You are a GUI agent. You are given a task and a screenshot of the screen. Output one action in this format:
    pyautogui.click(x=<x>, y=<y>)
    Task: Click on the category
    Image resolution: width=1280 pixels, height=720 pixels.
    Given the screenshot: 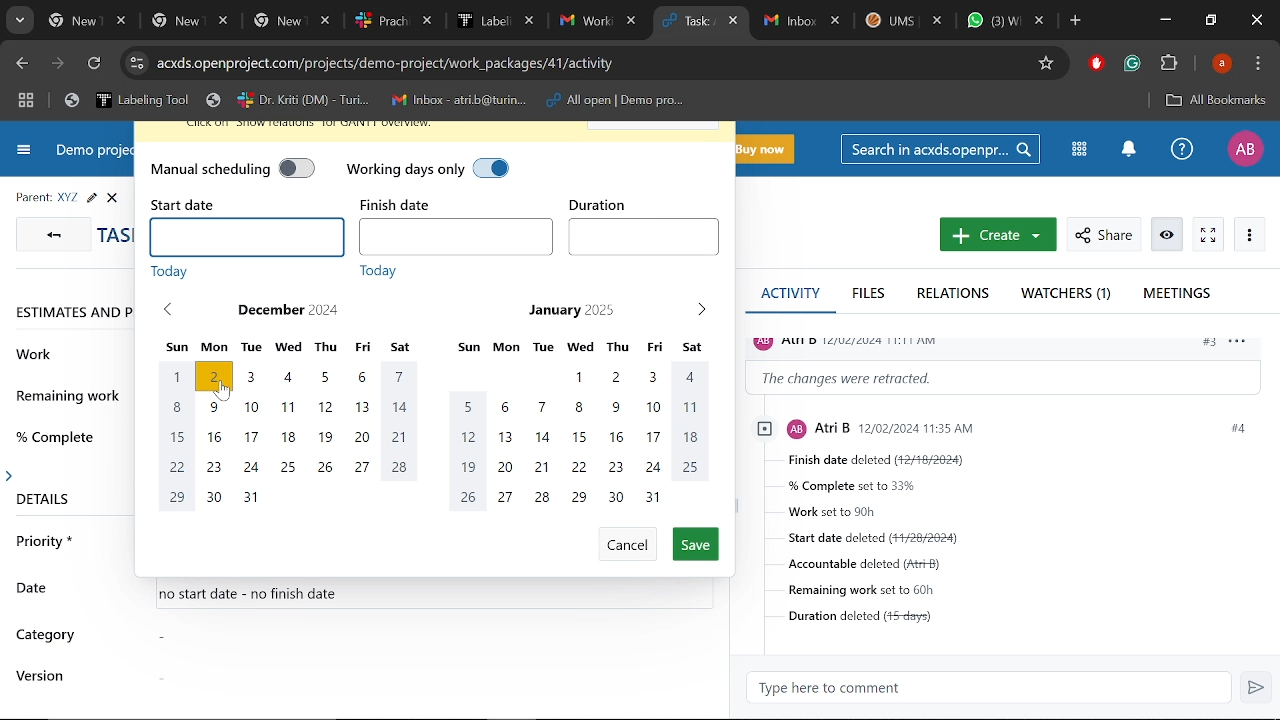 What is the action you would take?
    pyautogui.click(x=47, y=636)
    